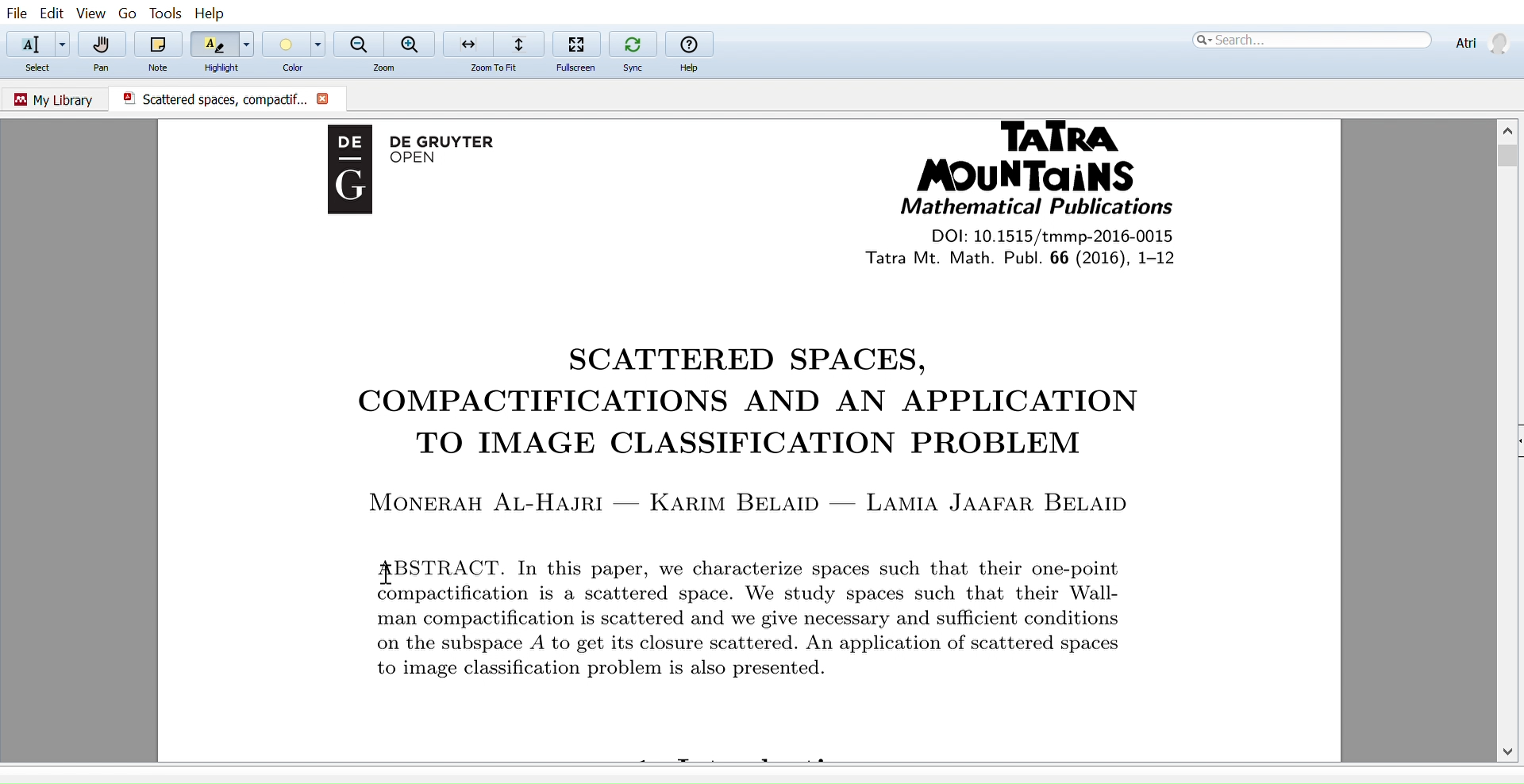 The width and height of the screenshot is (1524, 784). Describe the element at coordinates (388, 572) in the screenshot. I see `Cursor` at that location.